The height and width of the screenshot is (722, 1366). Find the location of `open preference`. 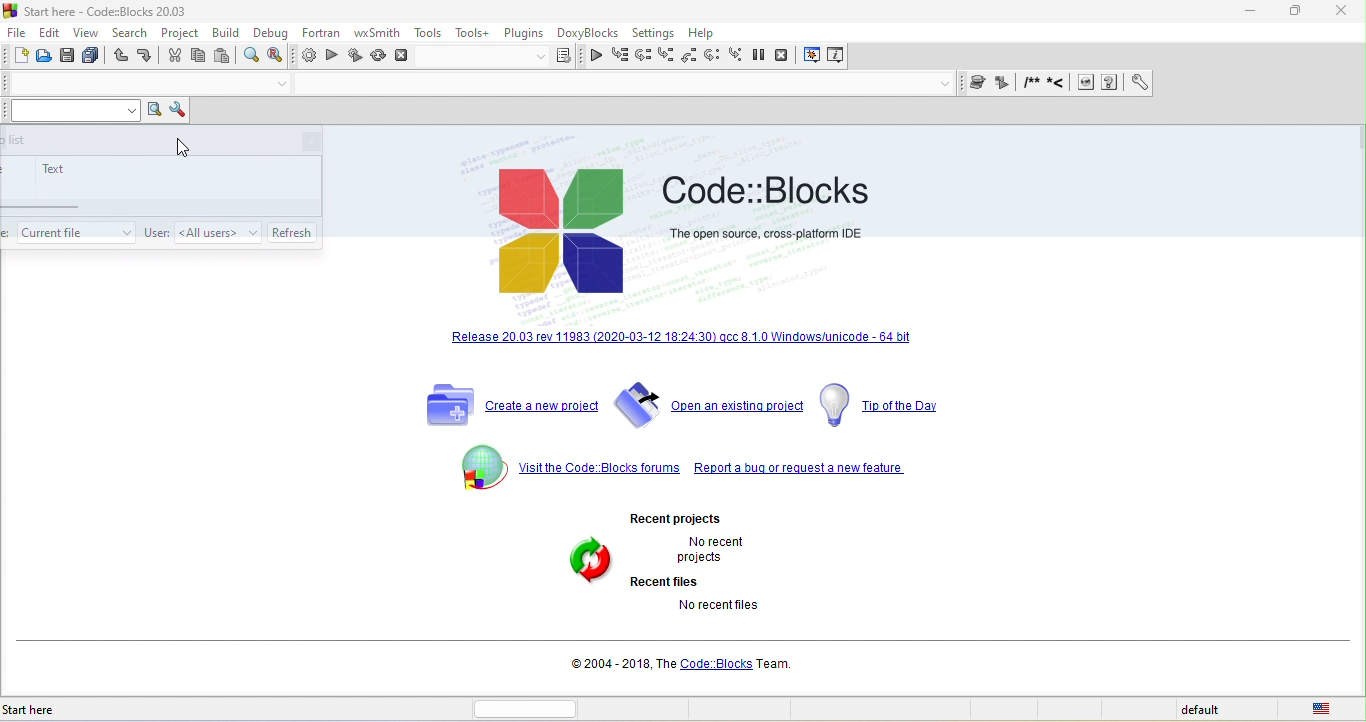

open preference is located at coordinates (1135, 83).